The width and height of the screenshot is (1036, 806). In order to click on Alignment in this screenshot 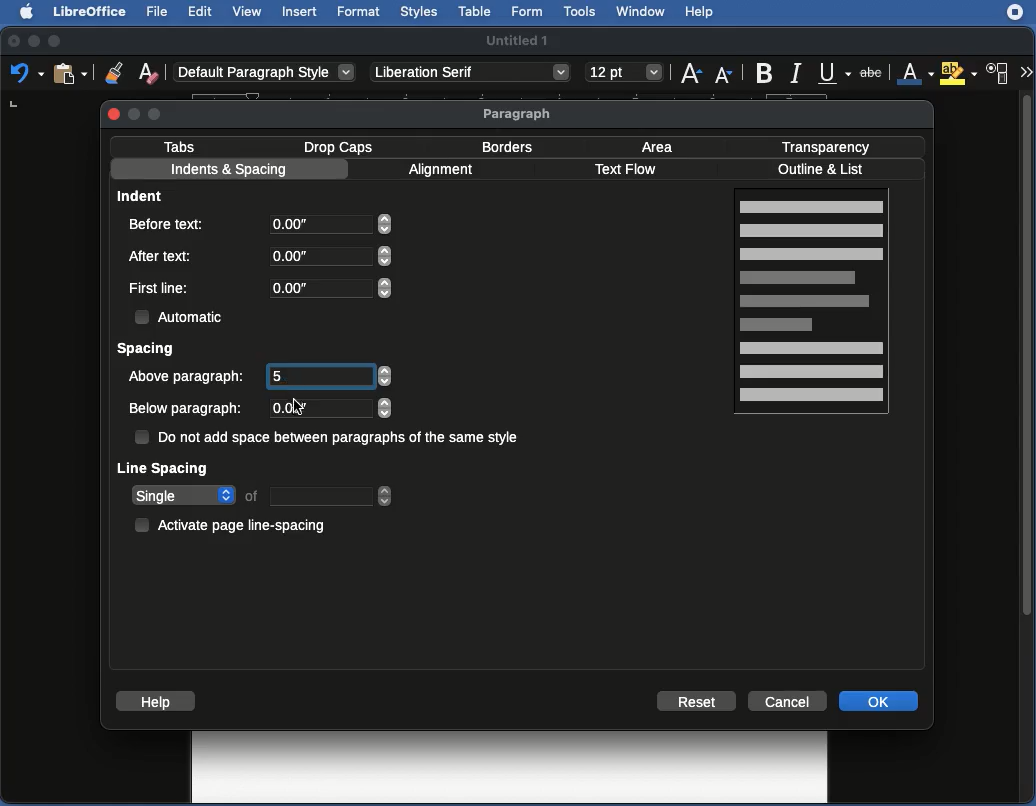, I will do `click(444, 172)`.